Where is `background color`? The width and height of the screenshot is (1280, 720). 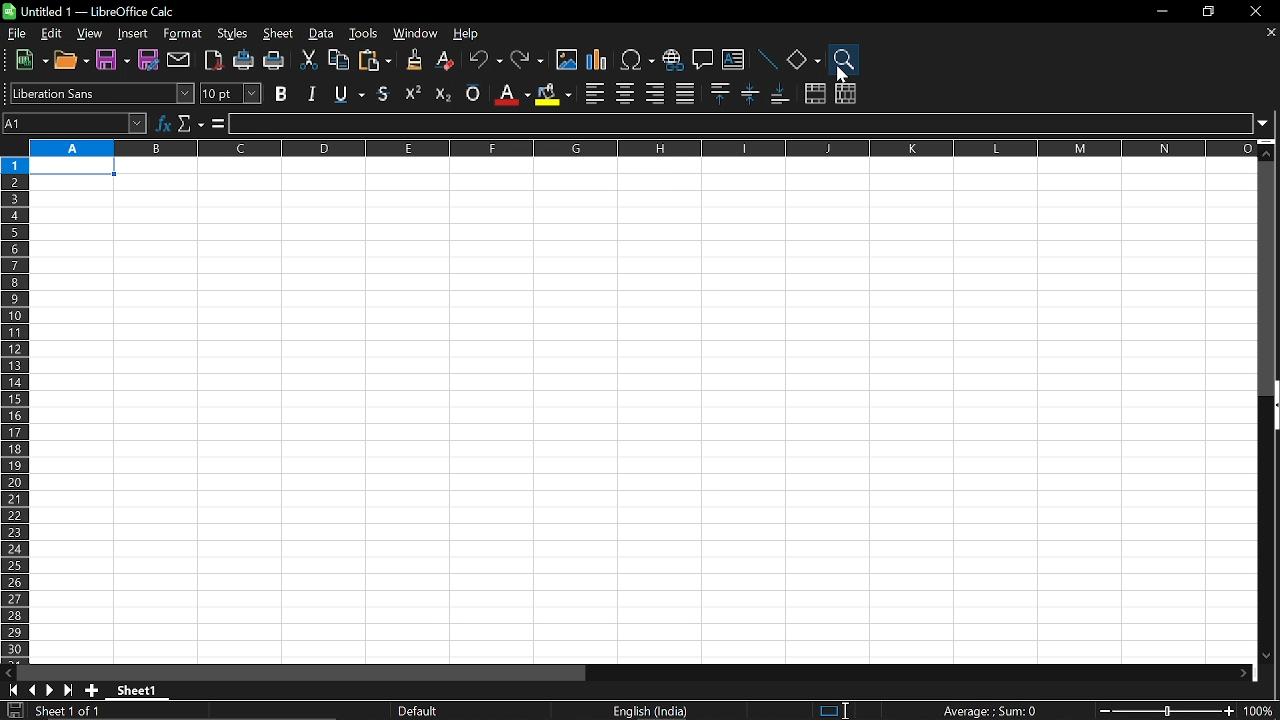
background color is located at coordinates (552, 93).